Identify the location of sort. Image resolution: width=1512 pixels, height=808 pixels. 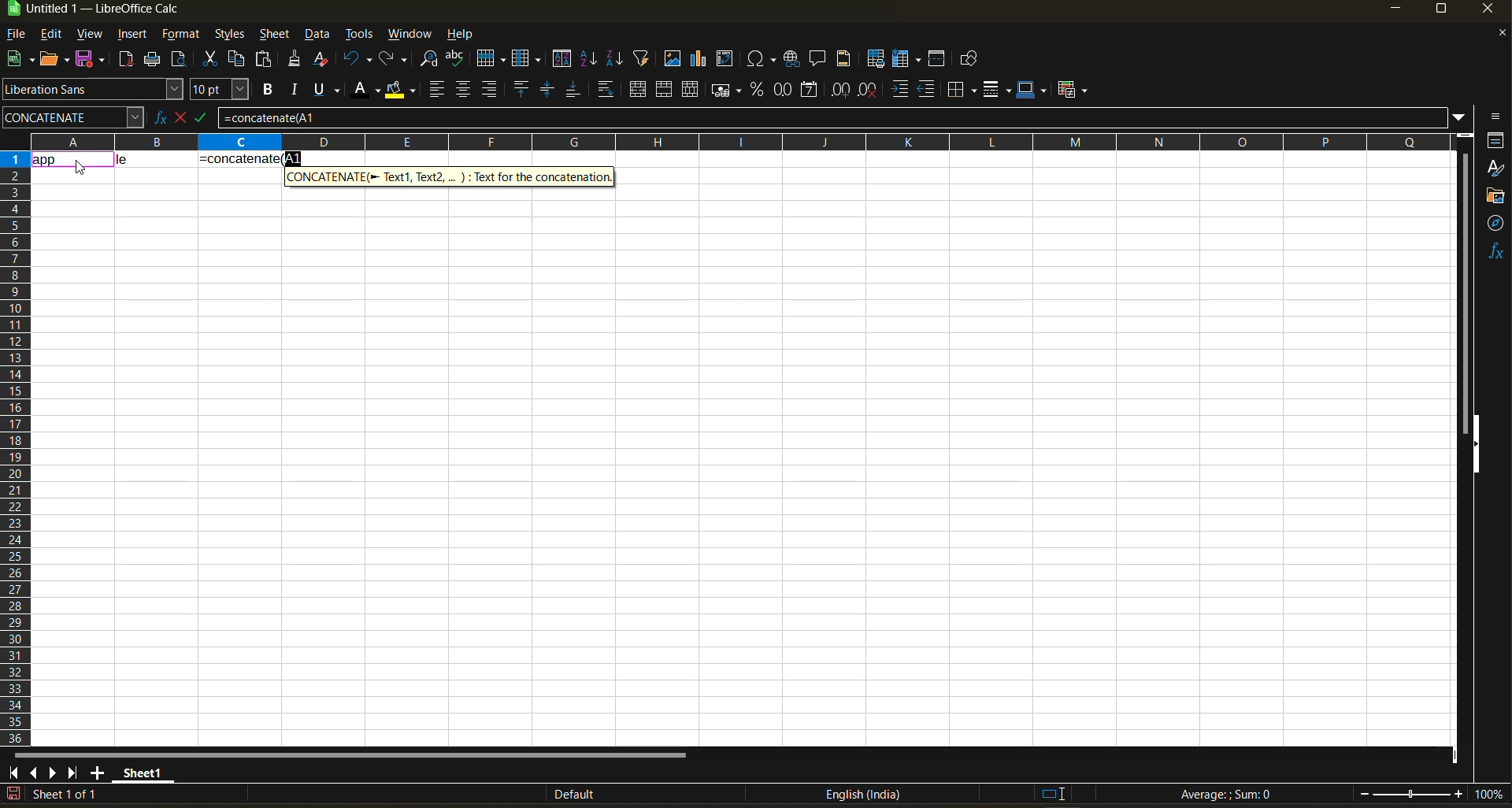
(565, 59).